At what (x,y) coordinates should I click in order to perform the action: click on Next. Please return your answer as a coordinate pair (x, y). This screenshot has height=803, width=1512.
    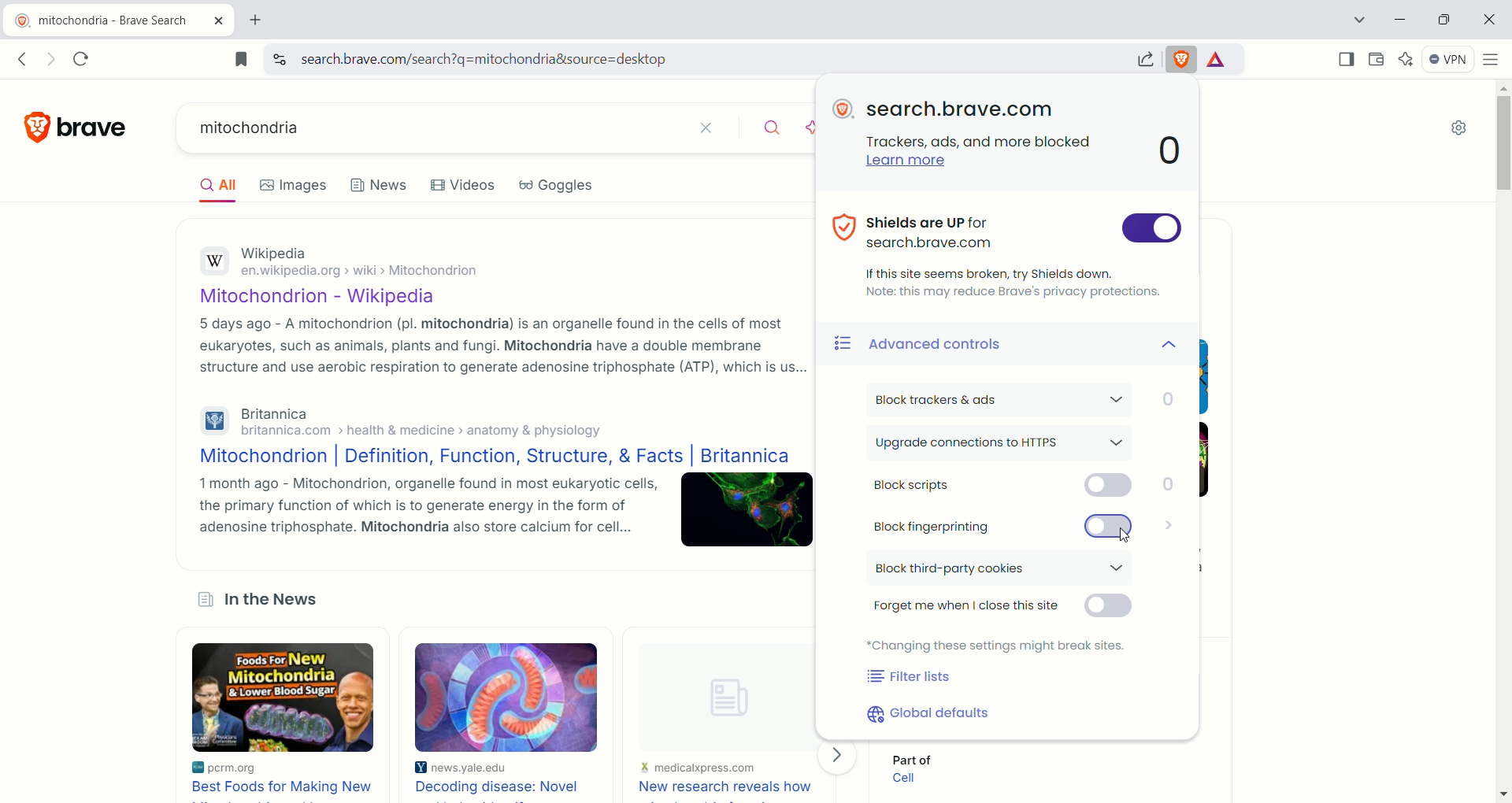
    Looking at the image, I should click on (839, 756).